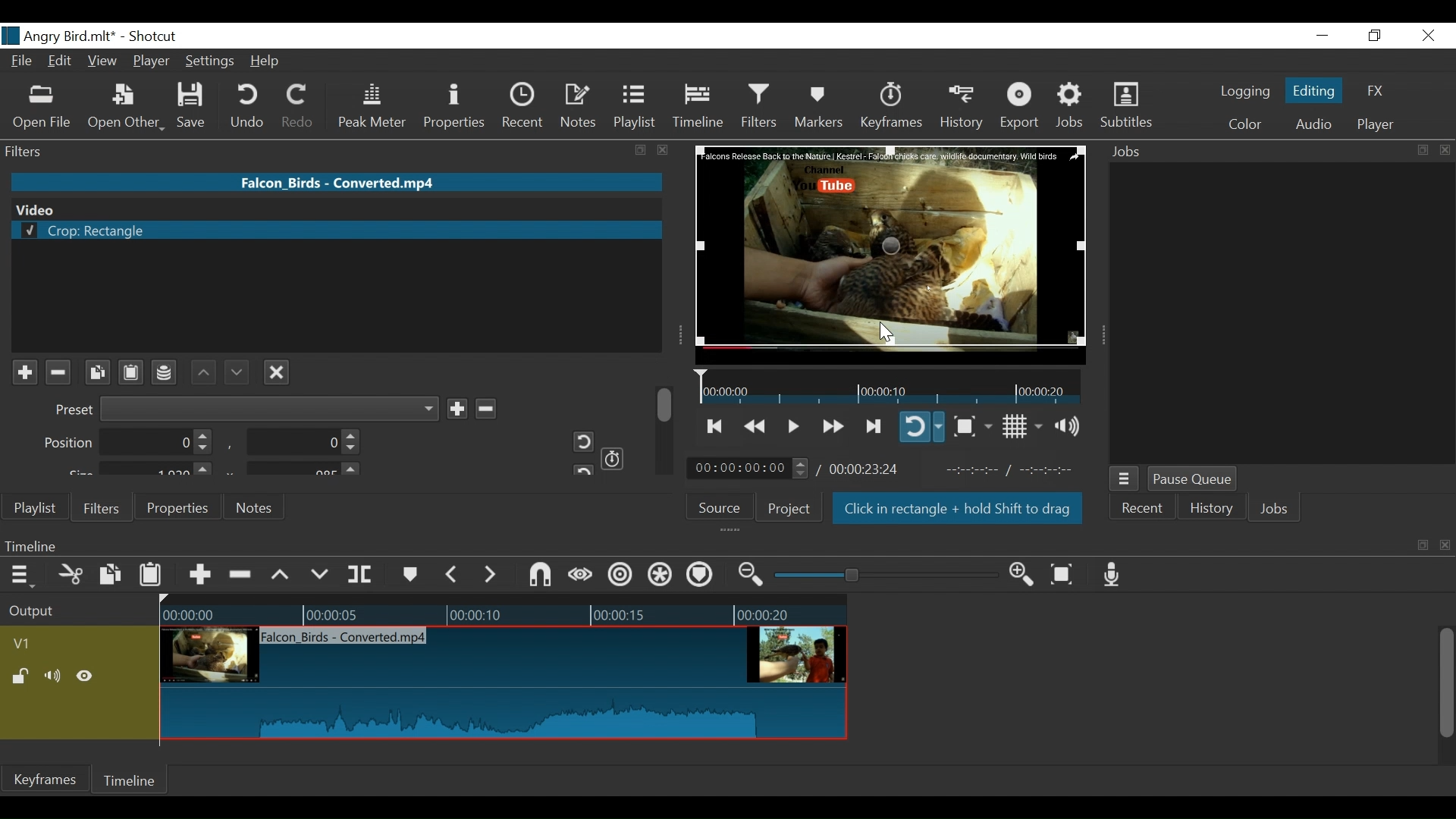  I want to click on History, so click(962, 107).